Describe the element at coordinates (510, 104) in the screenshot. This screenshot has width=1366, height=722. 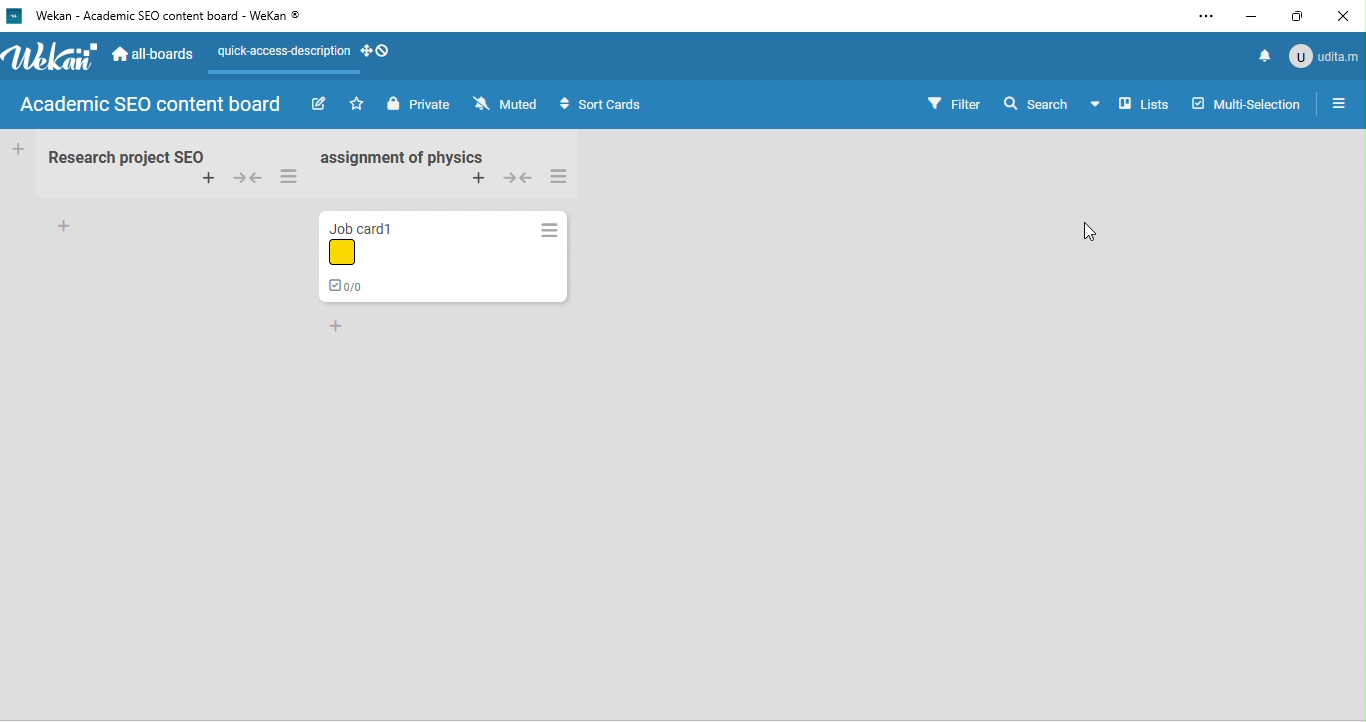
I see `muted` at that location.